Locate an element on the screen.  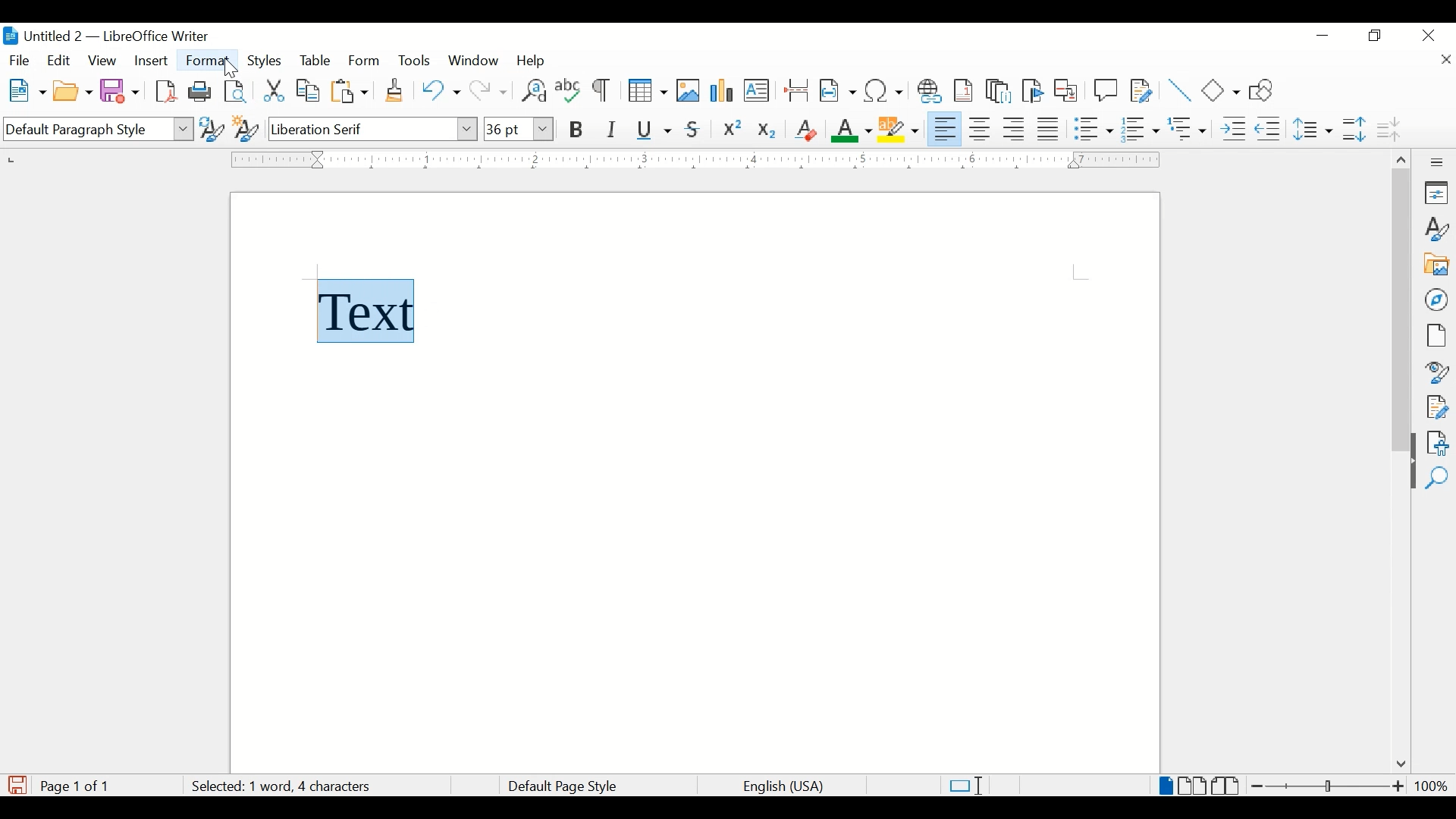
new style from selection is located at coordinates (246, 126).